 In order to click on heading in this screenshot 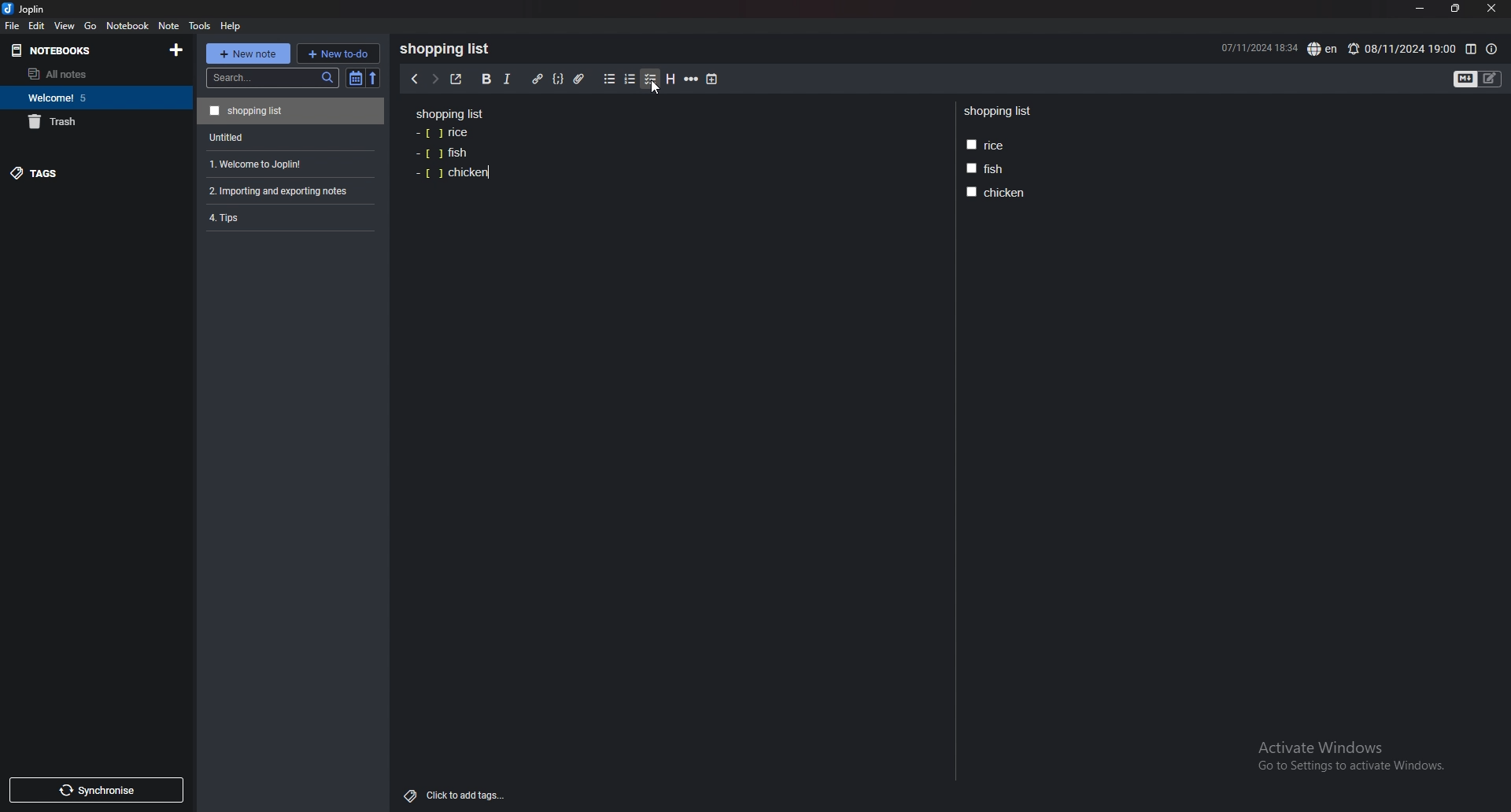, I will do `click(671, 79)`.